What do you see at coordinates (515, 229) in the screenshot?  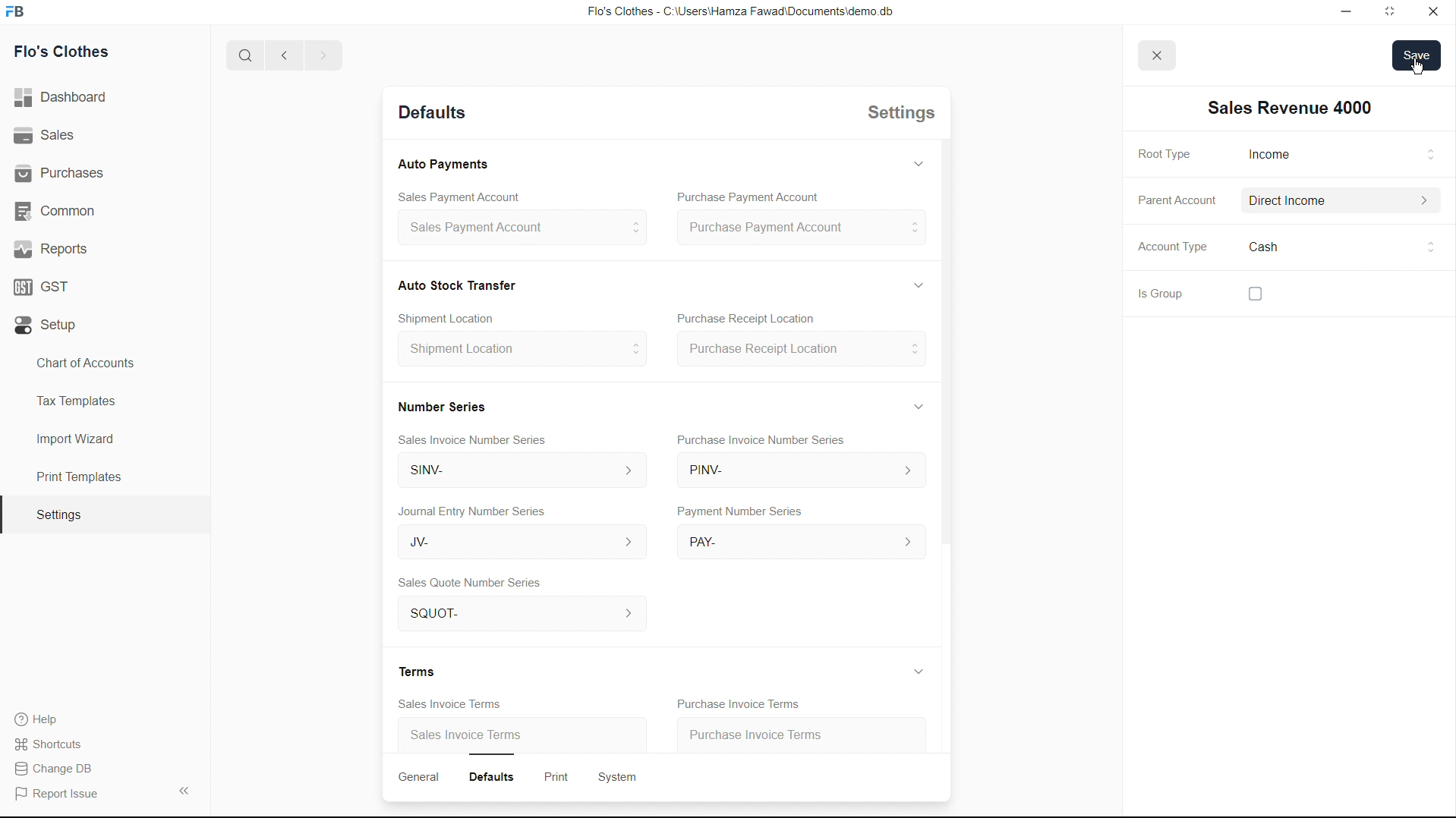 I see `sales Payment Account` at bounding box center [515, 229].